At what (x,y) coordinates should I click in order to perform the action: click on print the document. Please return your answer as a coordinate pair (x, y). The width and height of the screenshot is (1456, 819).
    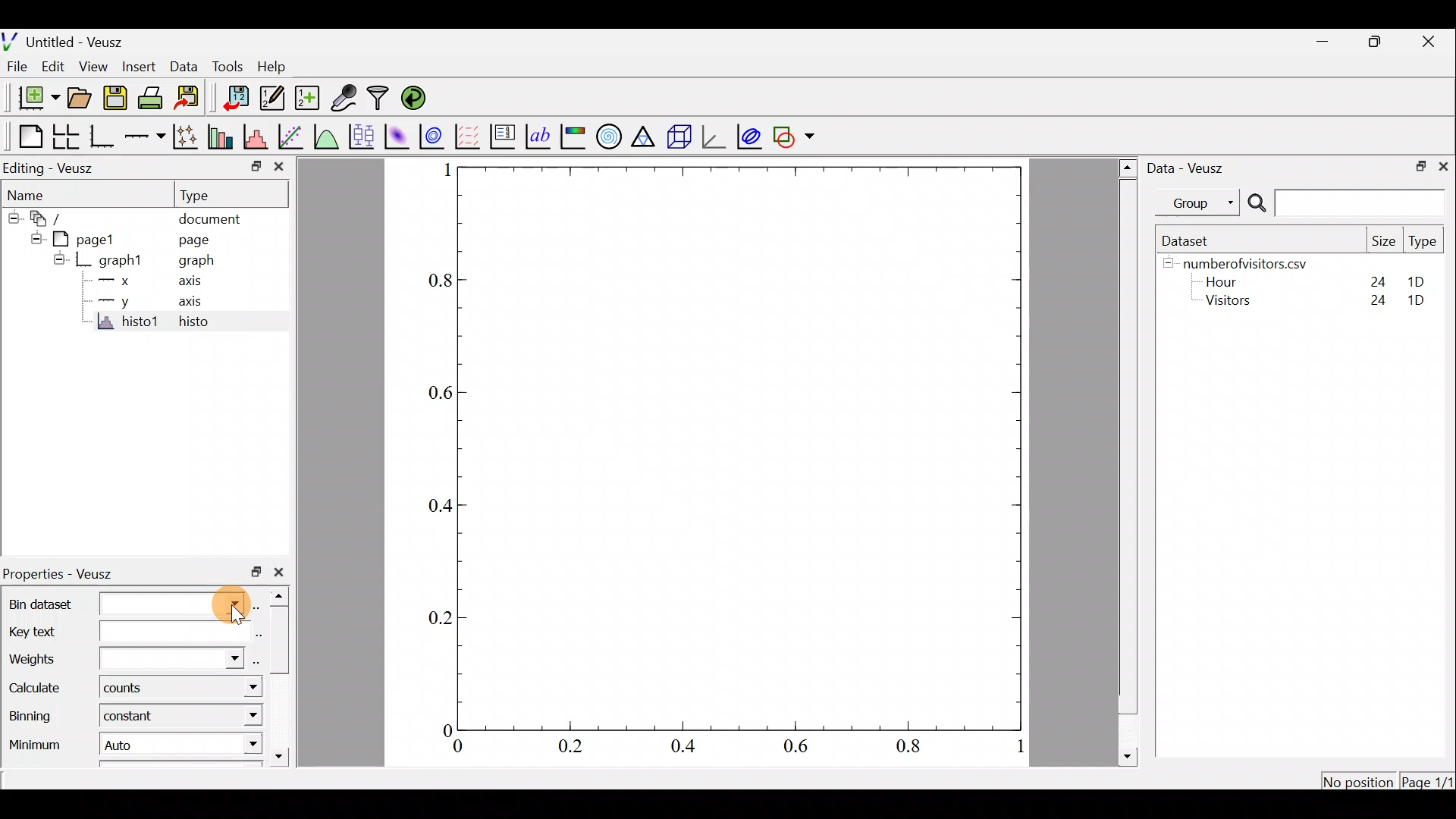
    Looking at the image, I should click on (151, 97).